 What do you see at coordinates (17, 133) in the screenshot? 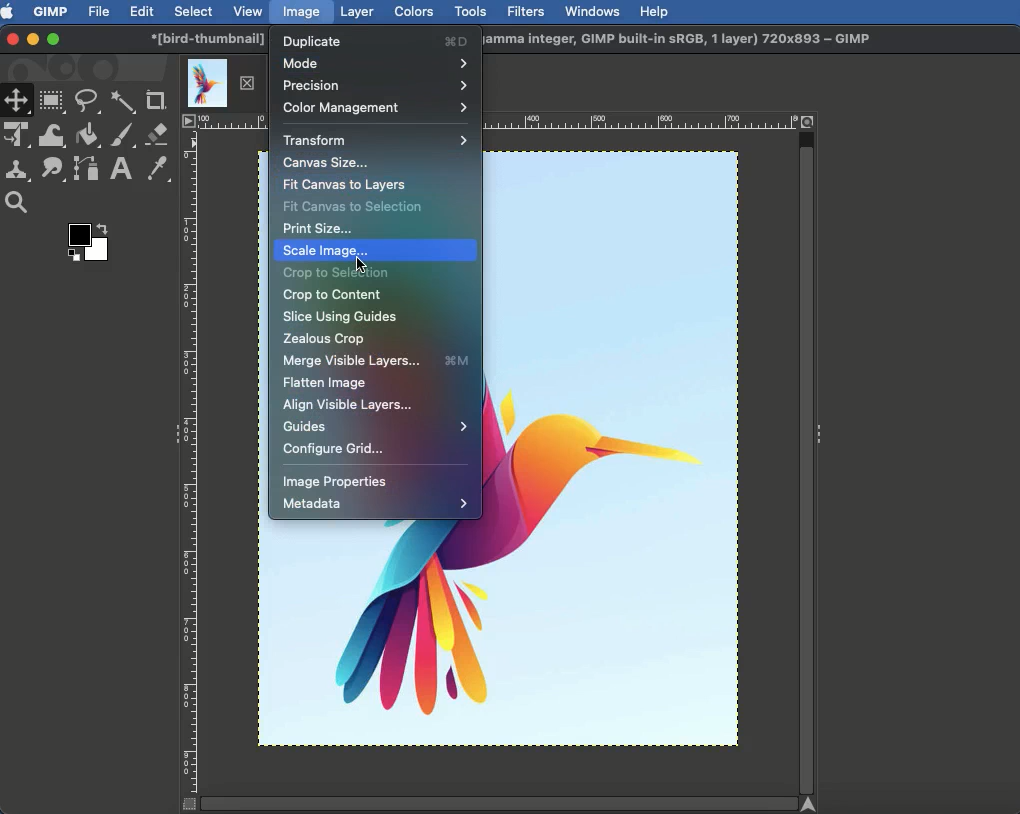
I see `Unified transform tool` at bounding box center [17, 133].